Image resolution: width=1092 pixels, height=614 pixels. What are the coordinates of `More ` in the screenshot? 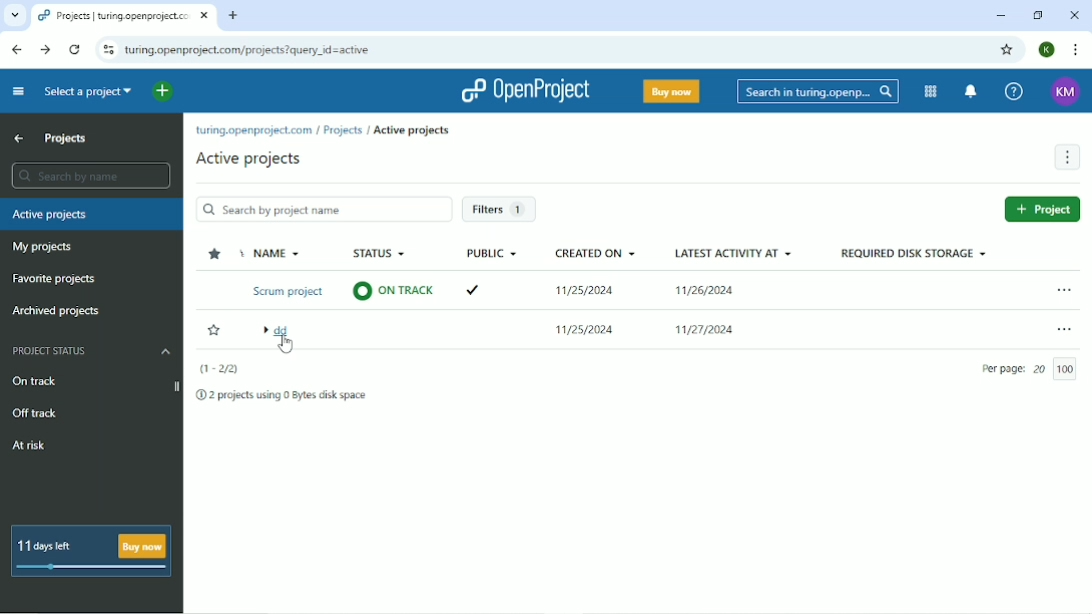 It's located at (1067, 290).